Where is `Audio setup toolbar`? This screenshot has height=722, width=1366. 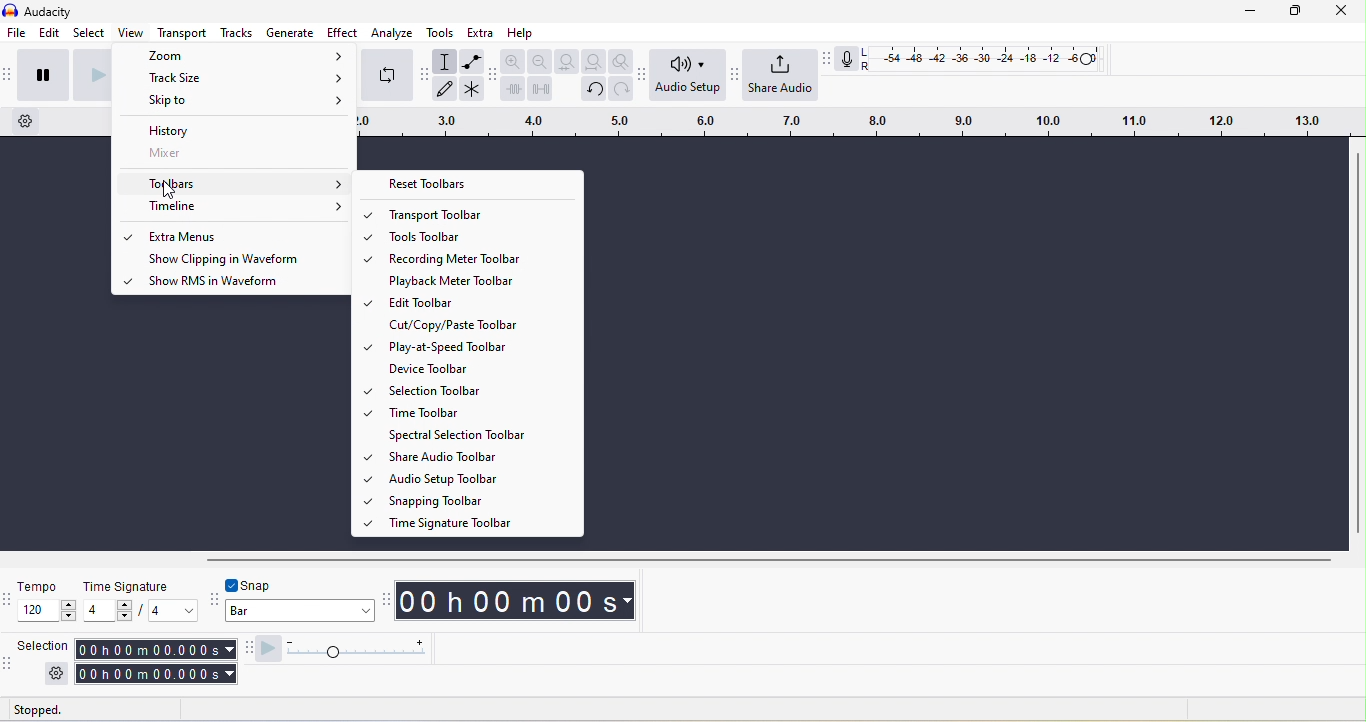 Audio setup toolbar is located at coordinates (479, 478).